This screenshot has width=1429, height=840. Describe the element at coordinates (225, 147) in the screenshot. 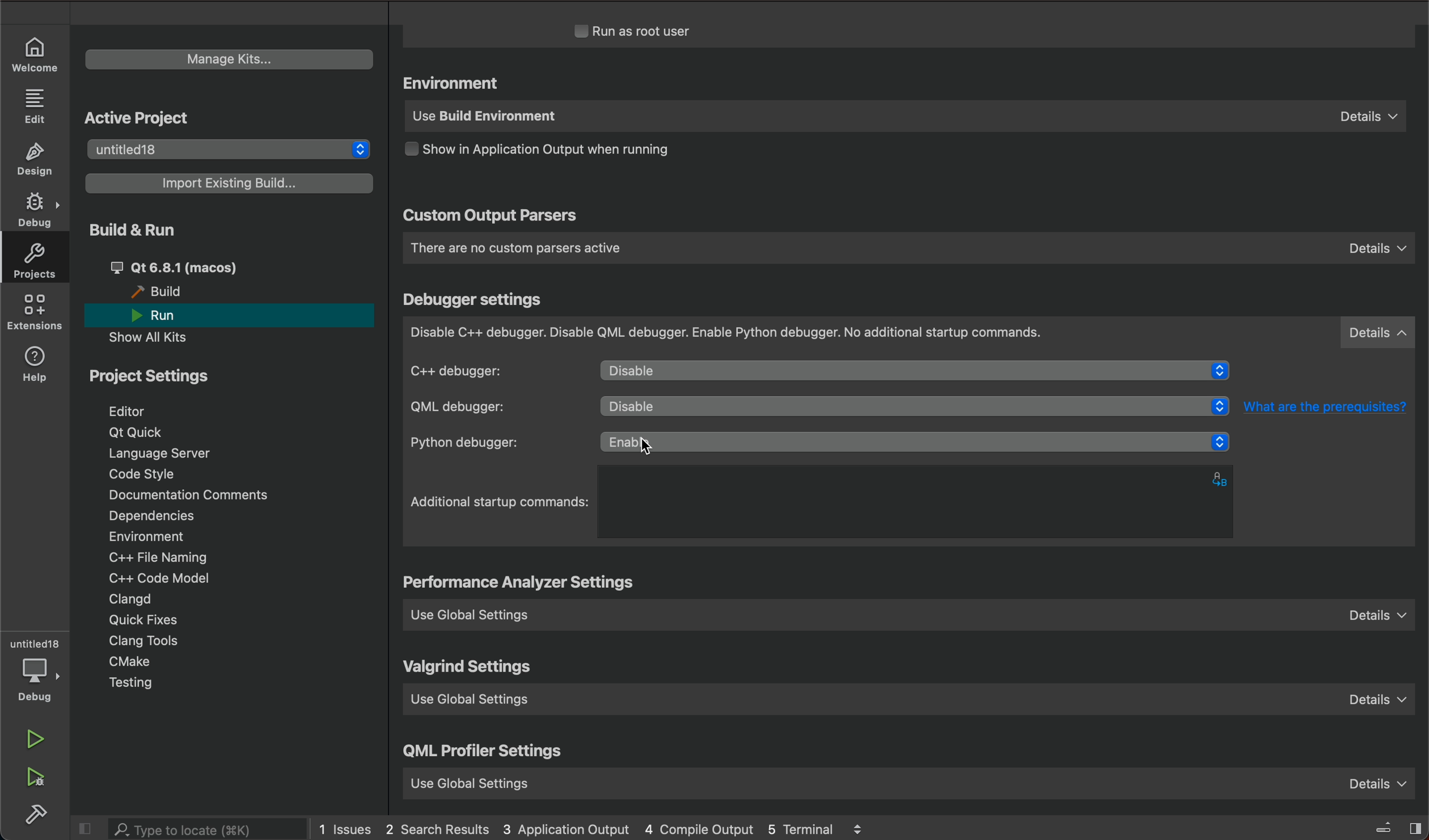

I see `untitled` at that location.